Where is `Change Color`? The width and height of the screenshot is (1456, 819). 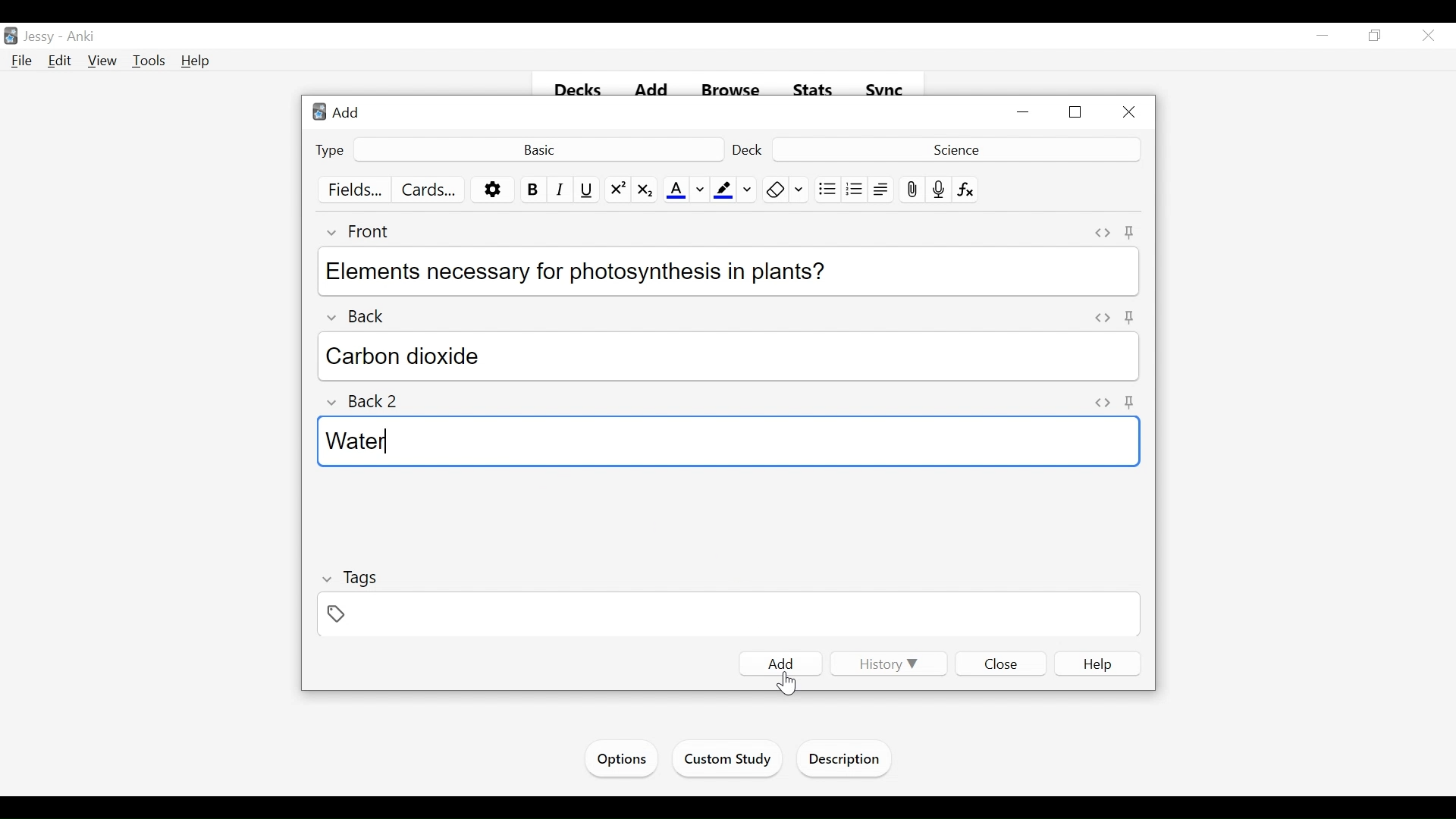 Change Color is located at coordinates (748, 190).